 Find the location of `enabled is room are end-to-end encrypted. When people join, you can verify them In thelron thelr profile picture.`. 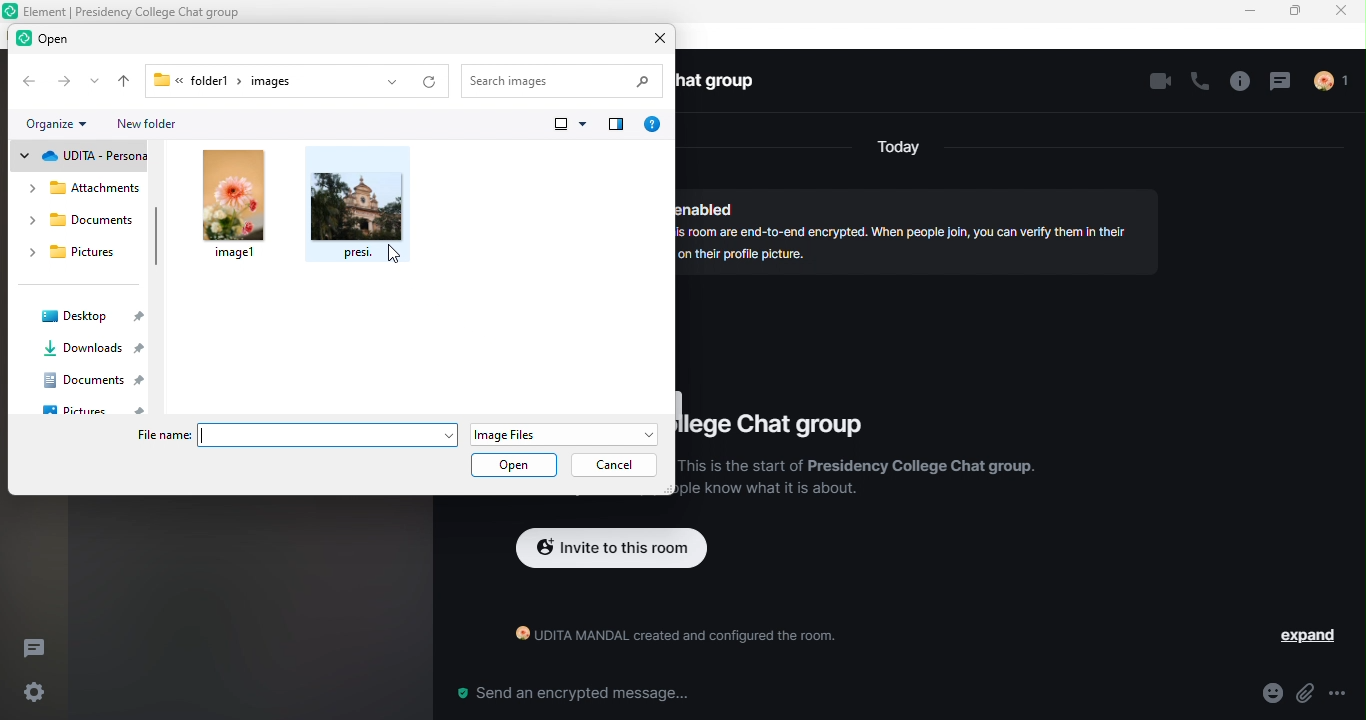

enabled is room are end-to-end encrypted. When people join, you can verify them In thelron thelr profile picture. is located at coordinates (916, 227).